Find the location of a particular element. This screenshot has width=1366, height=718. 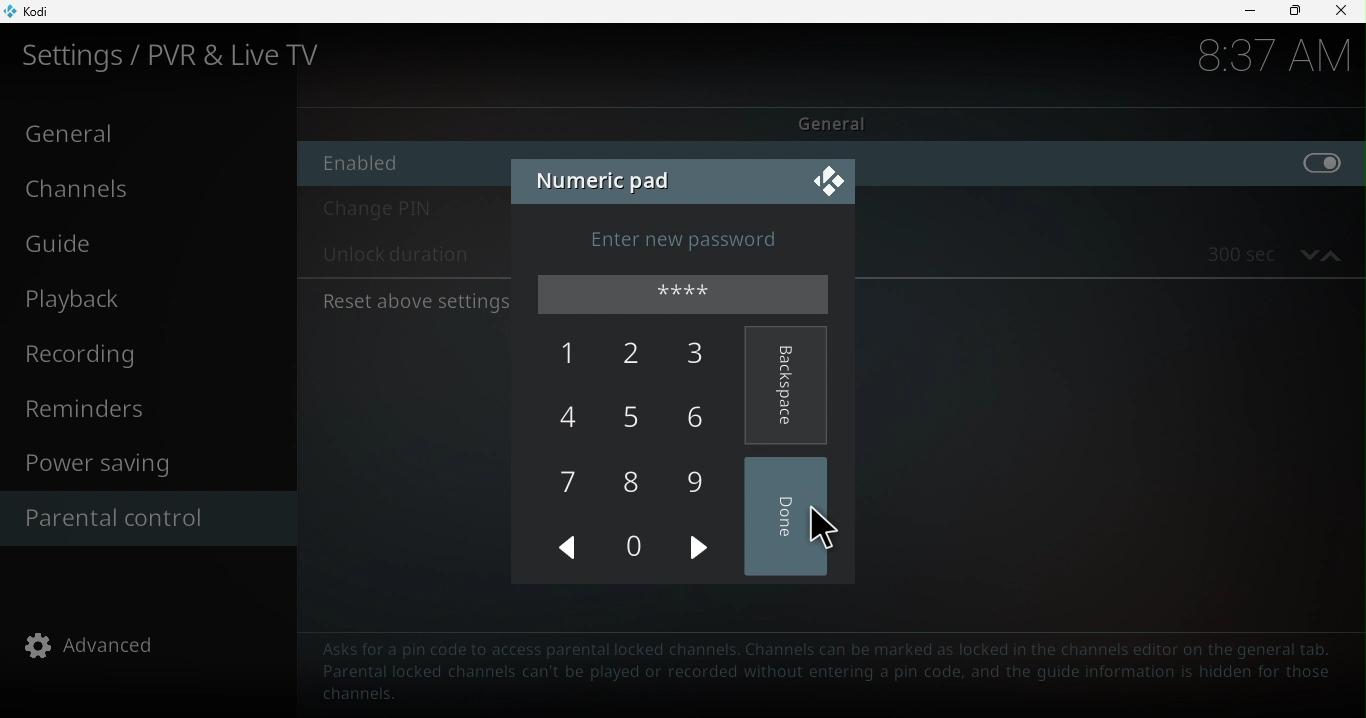

General is located at coordinates (835, 123).